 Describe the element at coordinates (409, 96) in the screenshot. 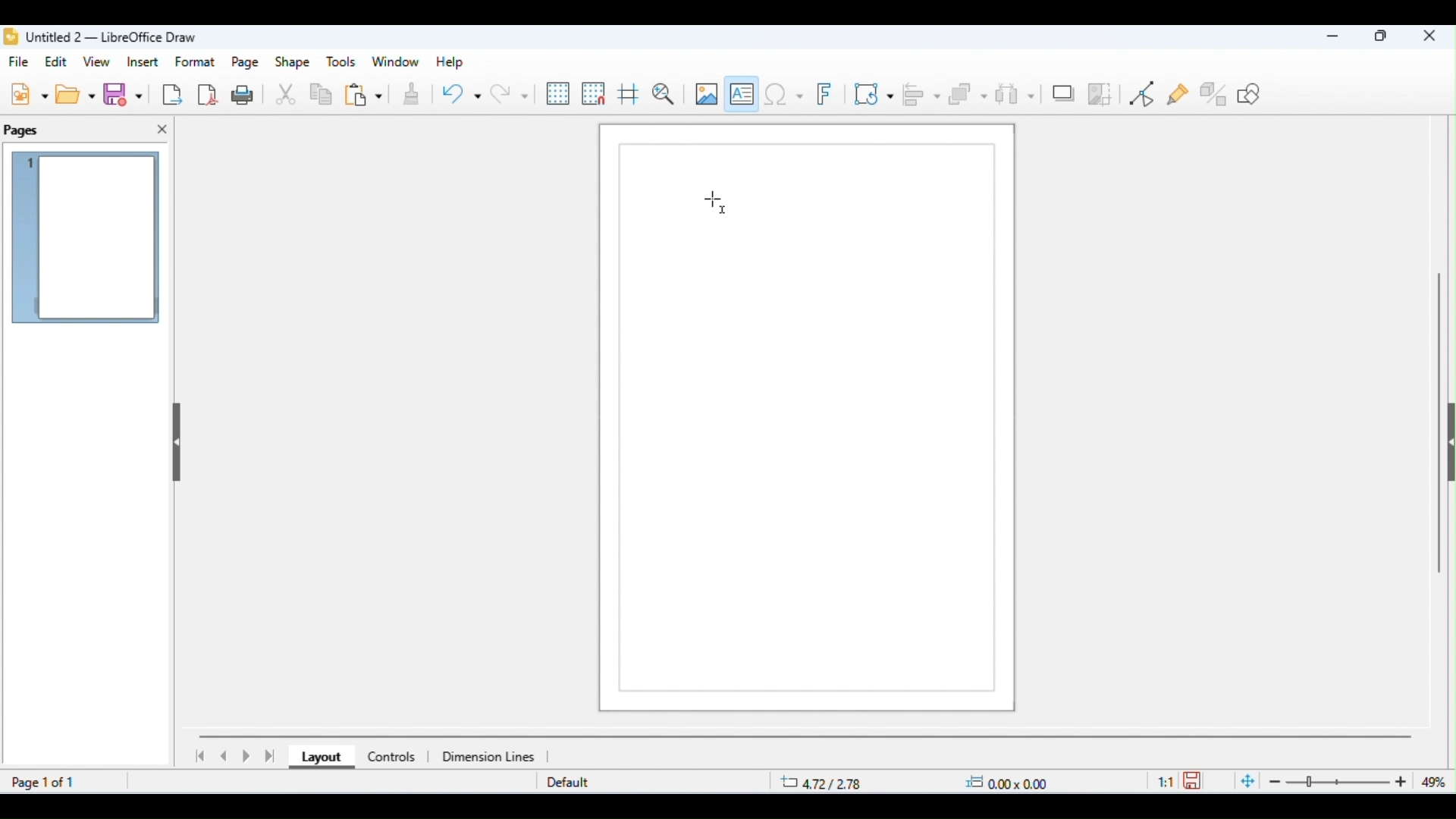

I see `clone` at that location.